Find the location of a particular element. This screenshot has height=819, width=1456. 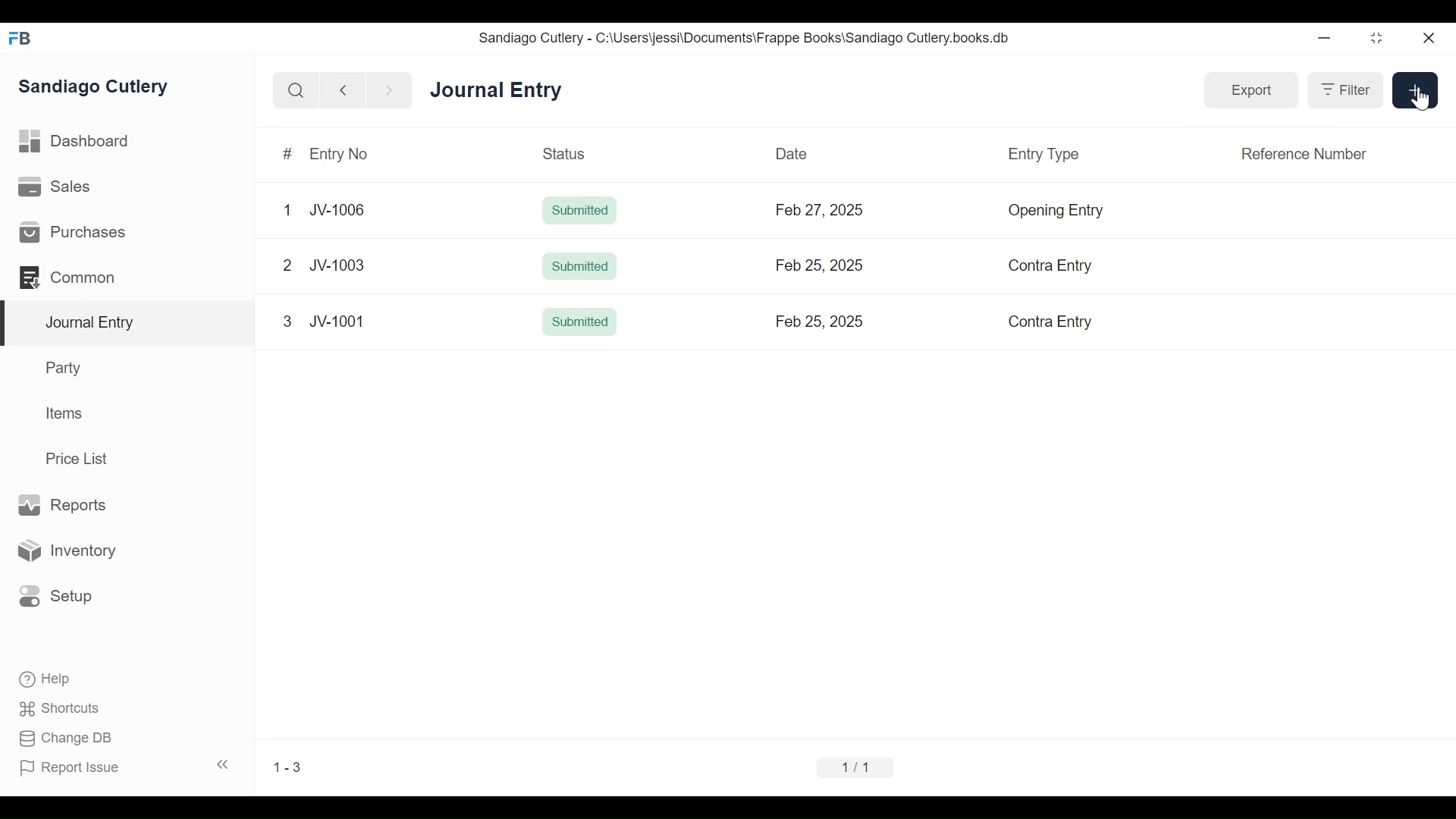

Contra Entry is located at coordinates (1050, 267).